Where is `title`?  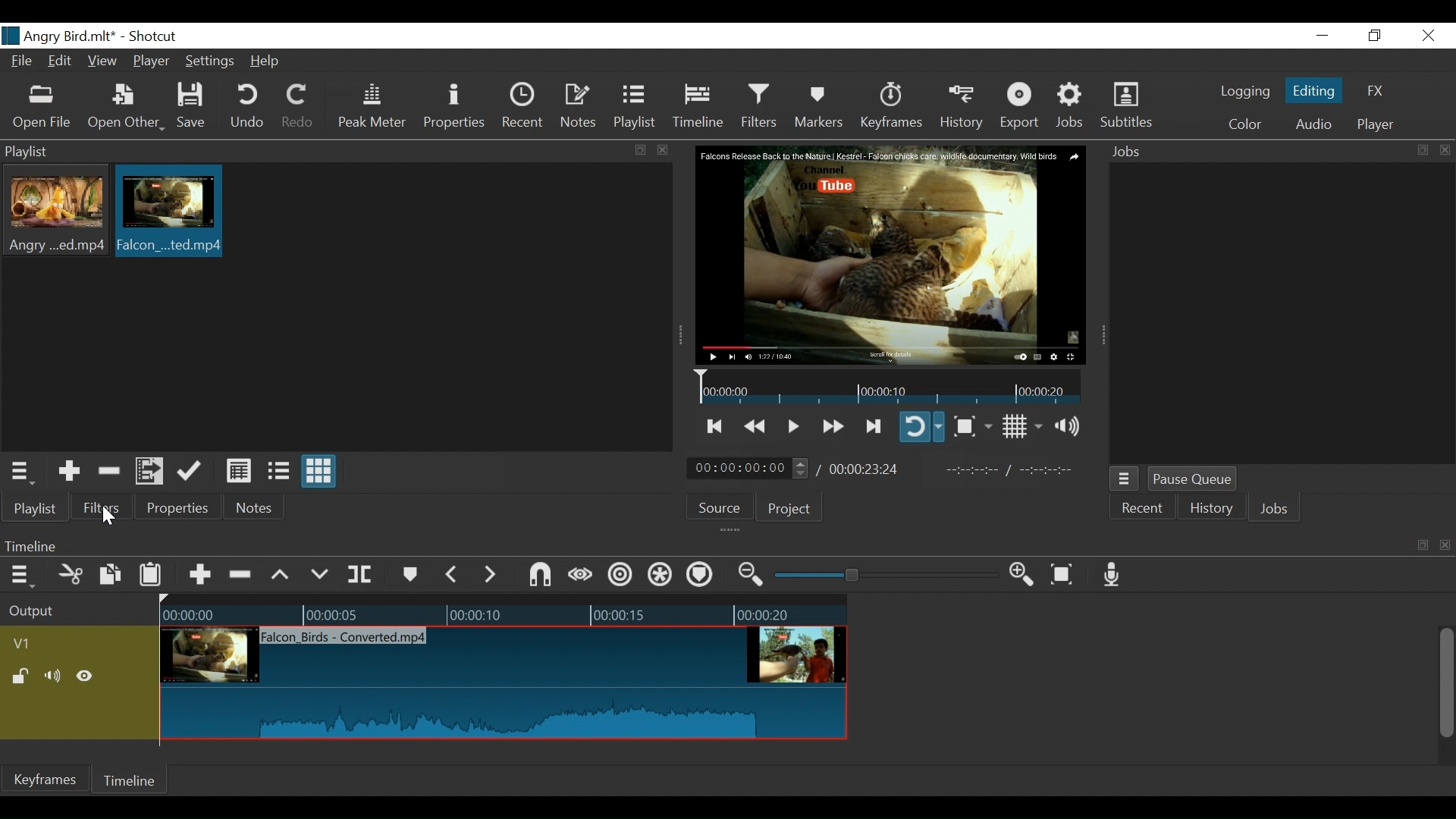 title is located at coordinates (104, 36).